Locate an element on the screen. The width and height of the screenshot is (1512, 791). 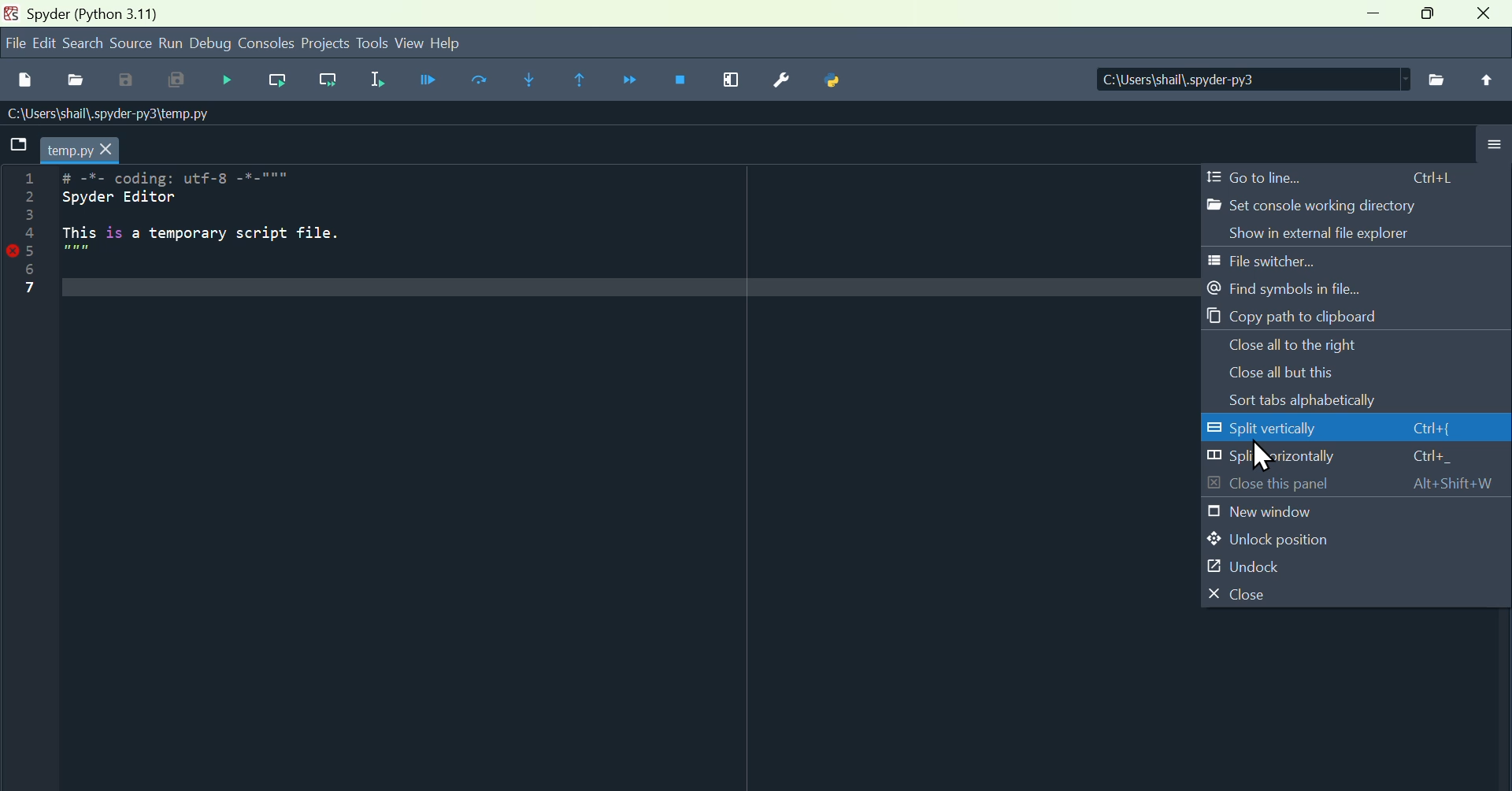
undock is located at coordinates (1343, 570).